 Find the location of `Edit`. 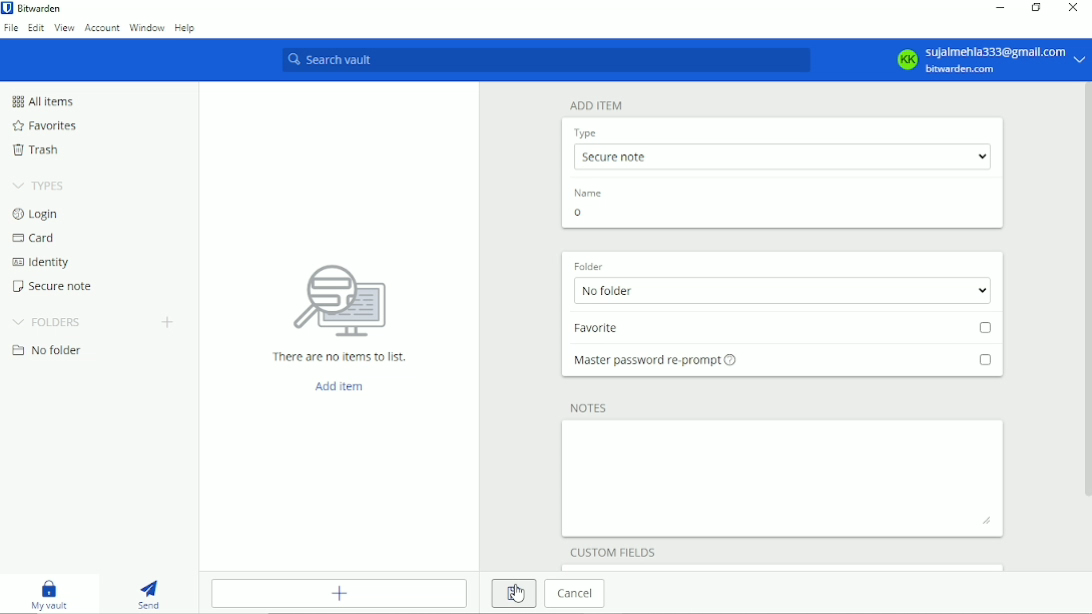

Edit is located at coordinates (37, 28).